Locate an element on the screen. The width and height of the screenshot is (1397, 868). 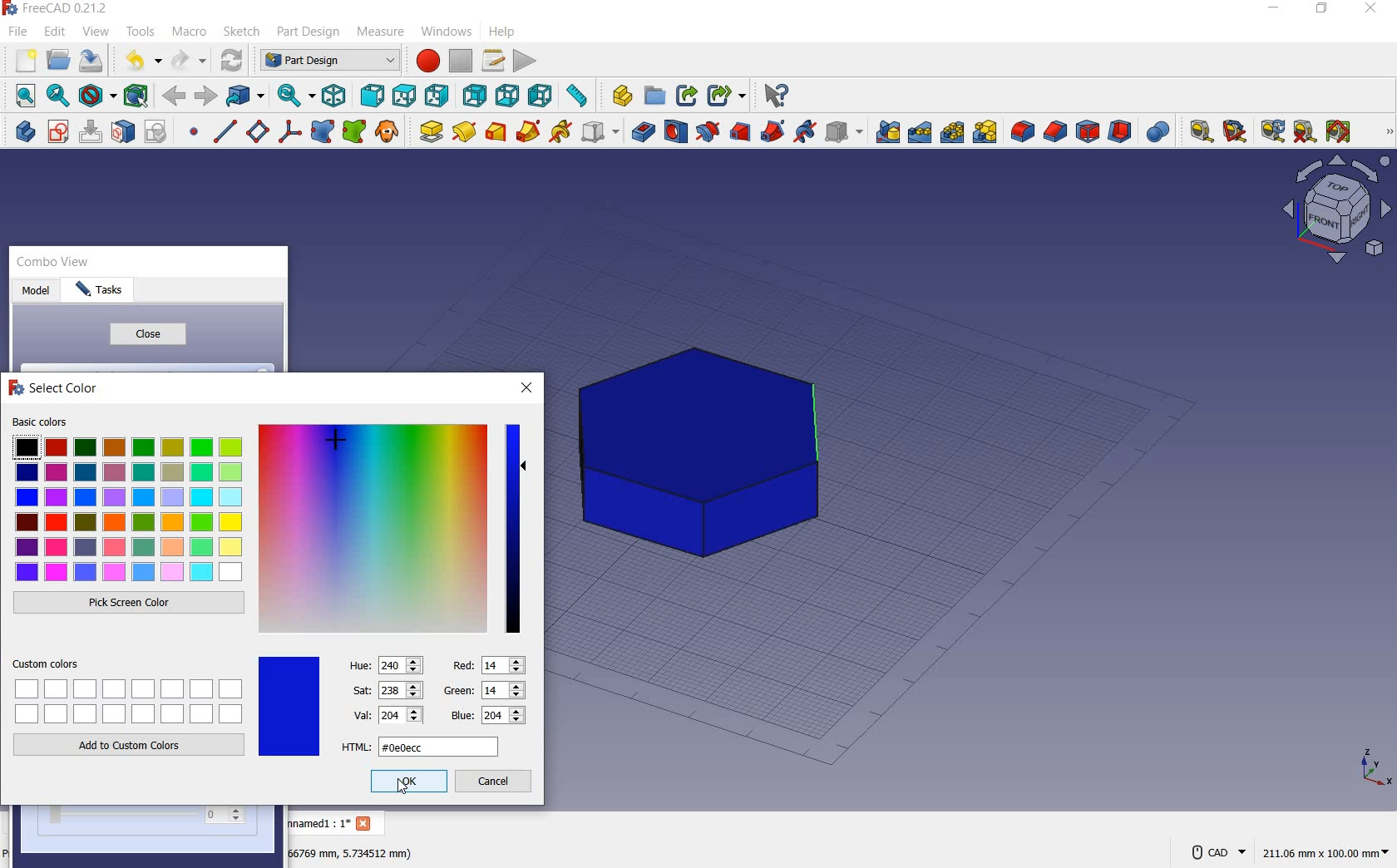
macro recording is located at coordinates (425, 62).